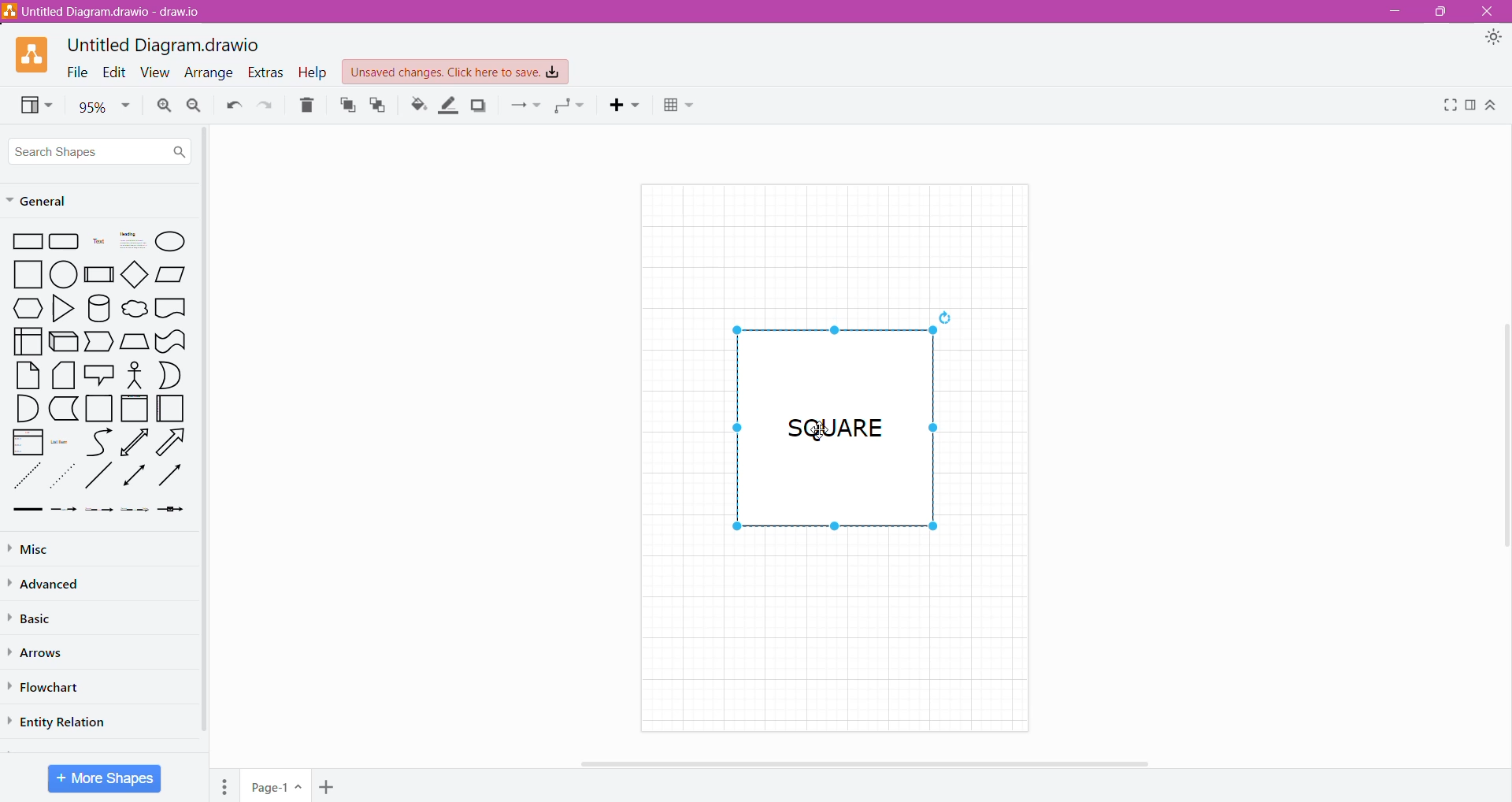 This screenshot has width=1512, height=802. What do you see at coordinates (25, 376) in the screenshot?
I see `Paper Sheet` at bounding box center [25, 376].